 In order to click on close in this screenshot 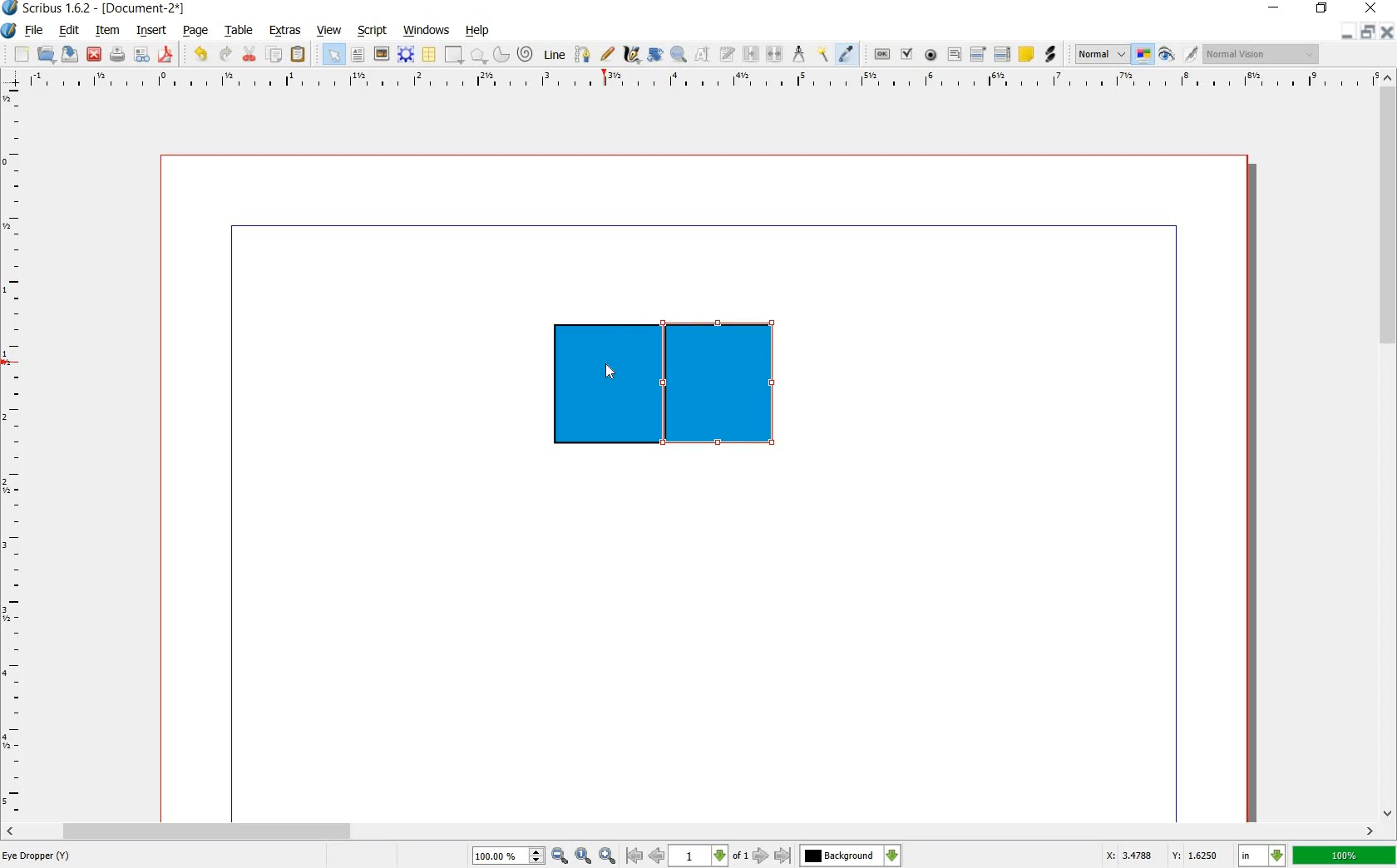, I will do `click(1389, 32)`.